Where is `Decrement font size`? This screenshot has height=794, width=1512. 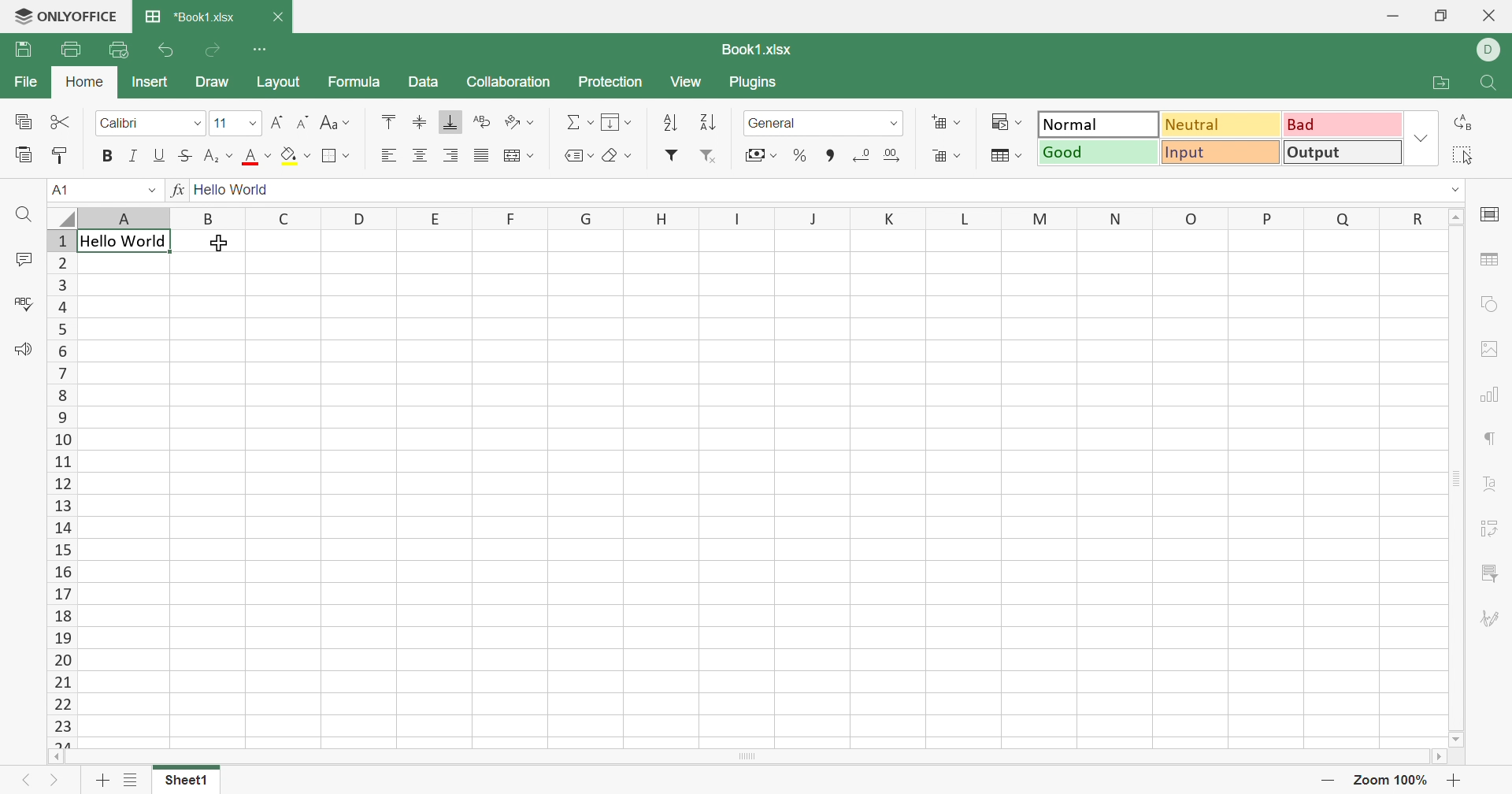 Decrement font size is located at coordinates (303, 121).